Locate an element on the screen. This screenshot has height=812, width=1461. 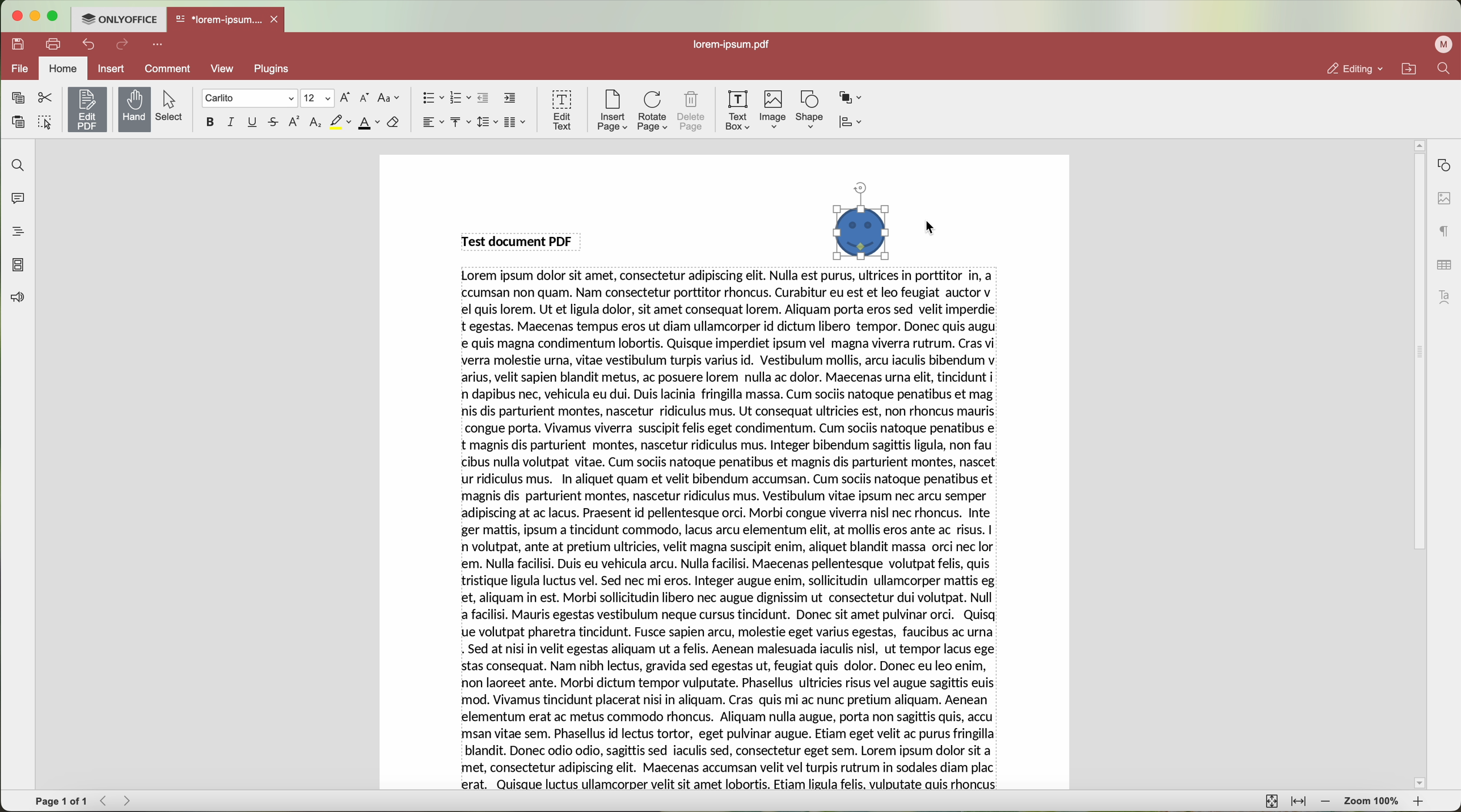
open file is located at coordinates (227, 20).